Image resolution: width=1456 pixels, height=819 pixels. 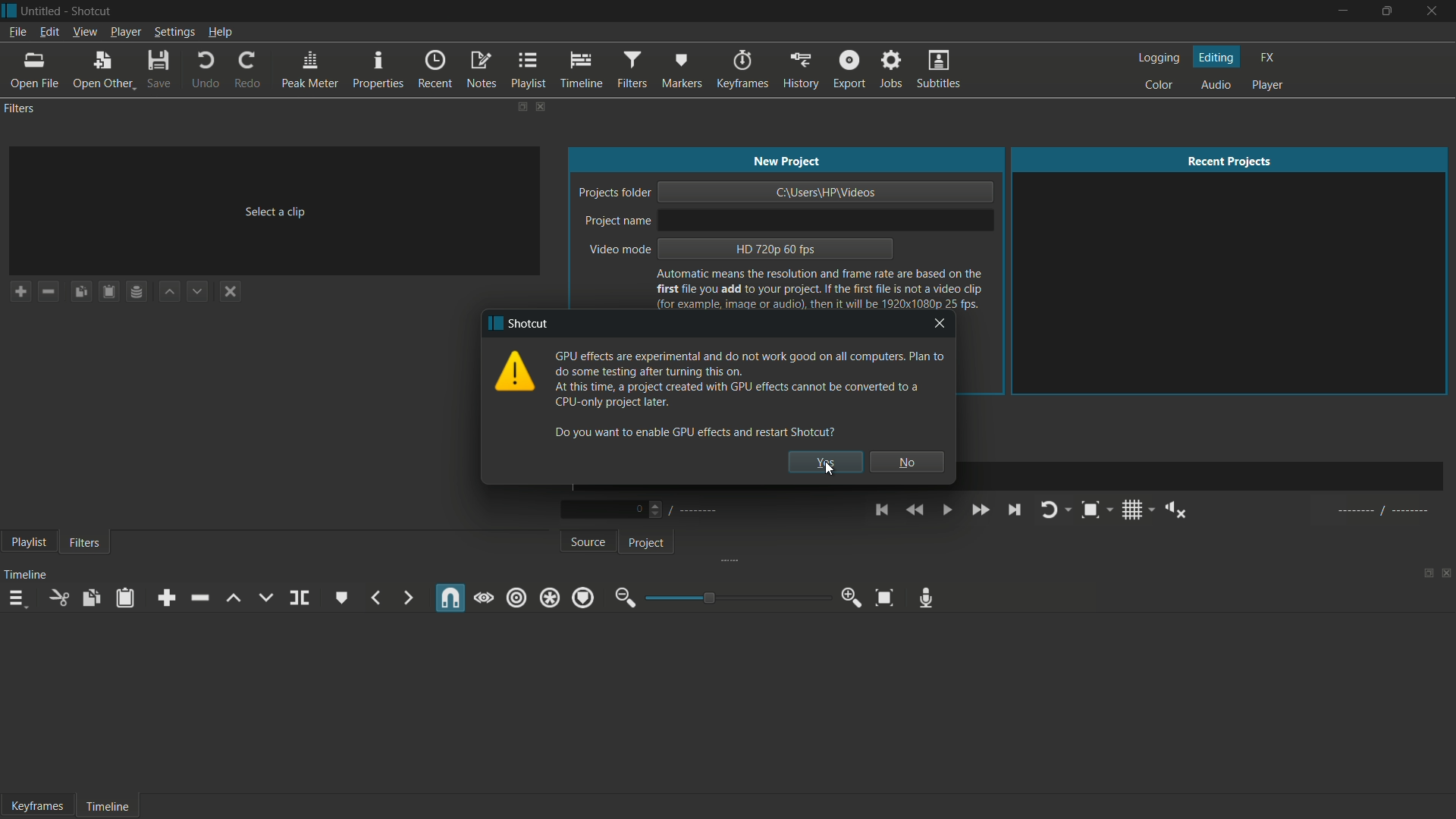 What do you see at coordinates (27, 543) in the screenshot?
I see `playlist` at bounding box center [27, 543].